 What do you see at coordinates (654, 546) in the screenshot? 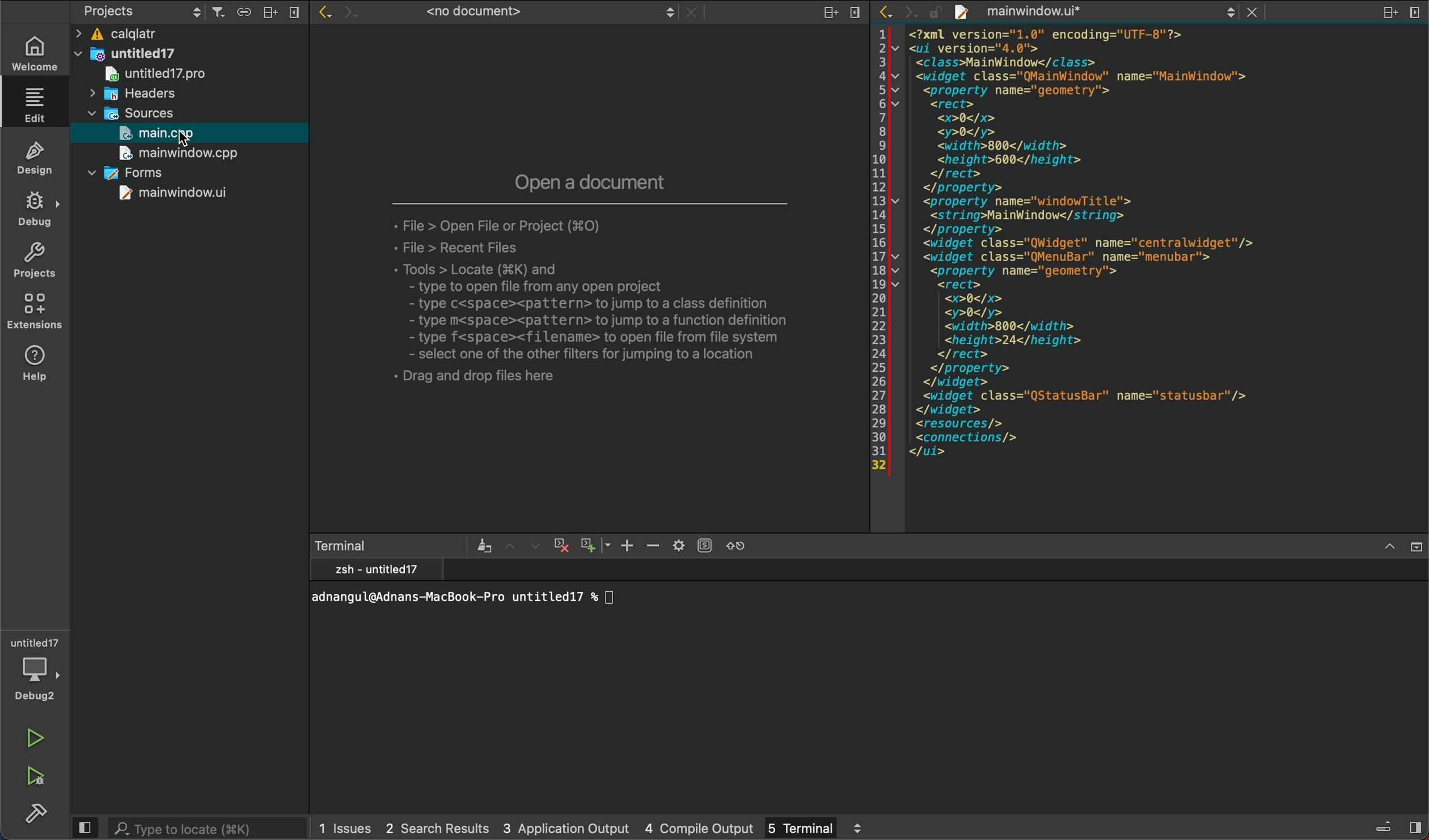
I see `zoom out` at bounding box center [654, 546].